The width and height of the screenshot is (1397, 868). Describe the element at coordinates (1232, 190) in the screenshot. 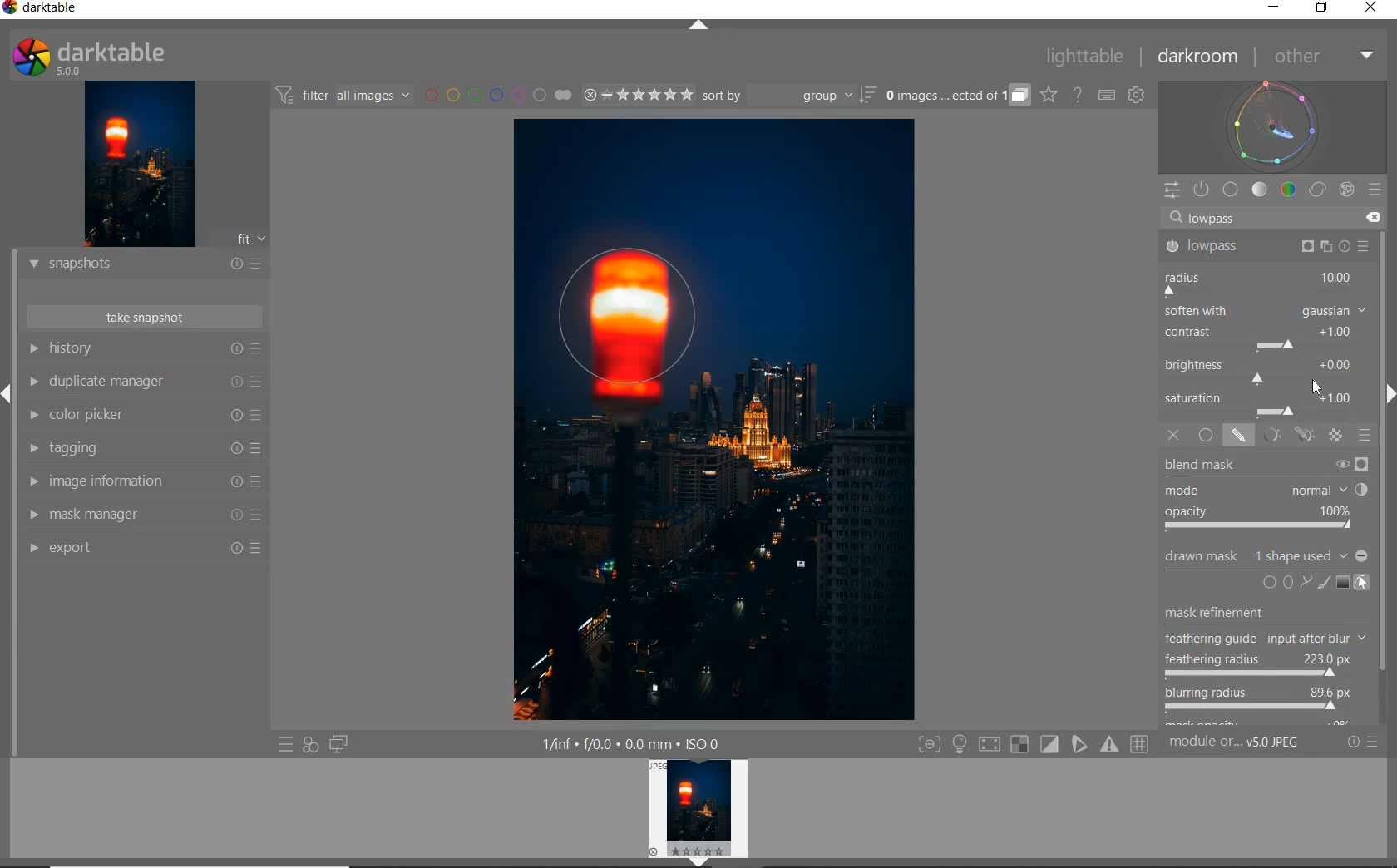

I see `BASE` at that location.